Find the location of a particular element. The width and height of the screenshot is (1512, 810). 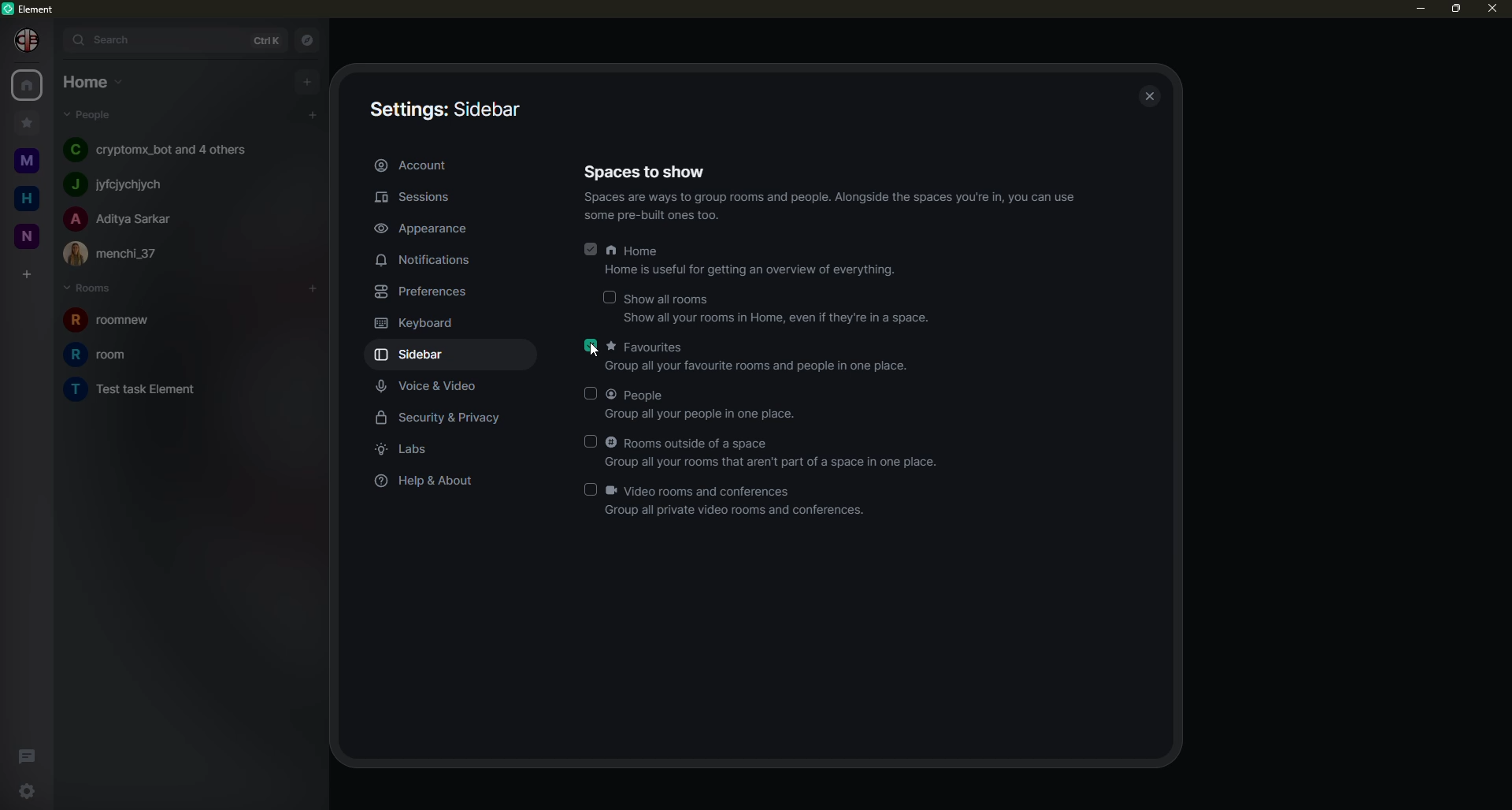

home is located at coordinates (27, 200).